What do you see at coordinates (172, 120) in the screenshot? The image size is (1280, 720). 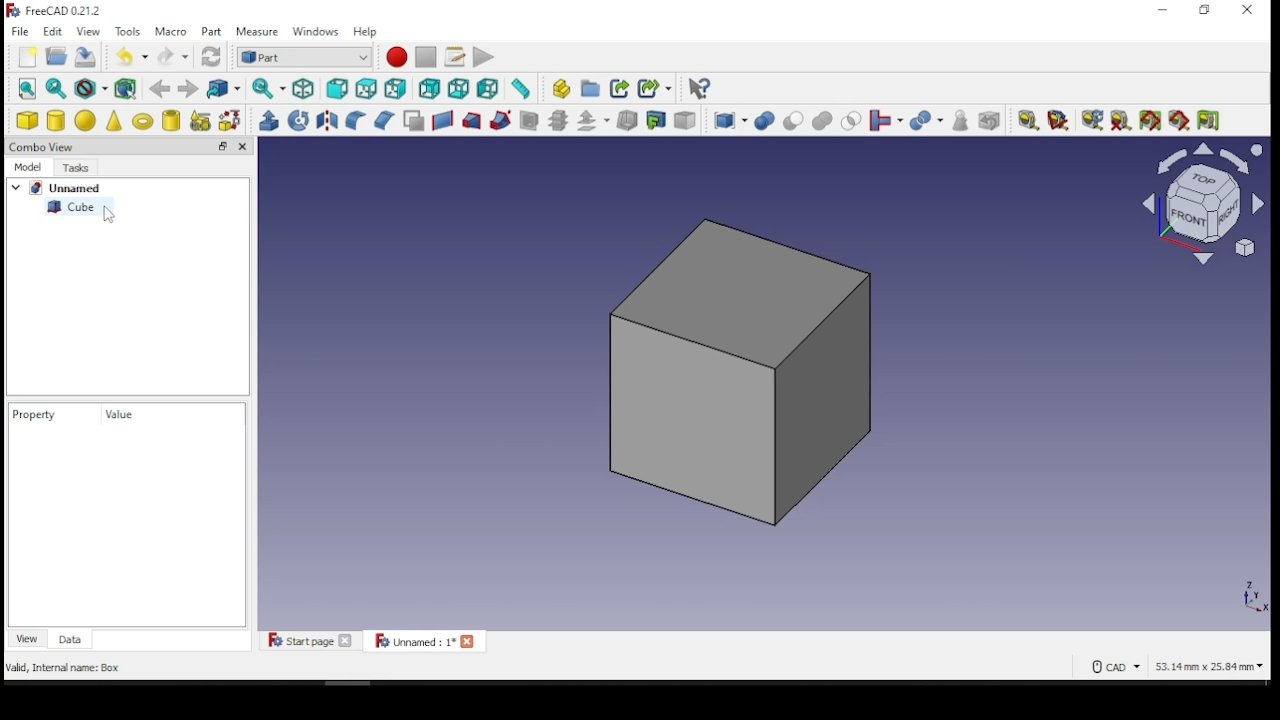 I see `create tube` at bounding box center [172, 120].